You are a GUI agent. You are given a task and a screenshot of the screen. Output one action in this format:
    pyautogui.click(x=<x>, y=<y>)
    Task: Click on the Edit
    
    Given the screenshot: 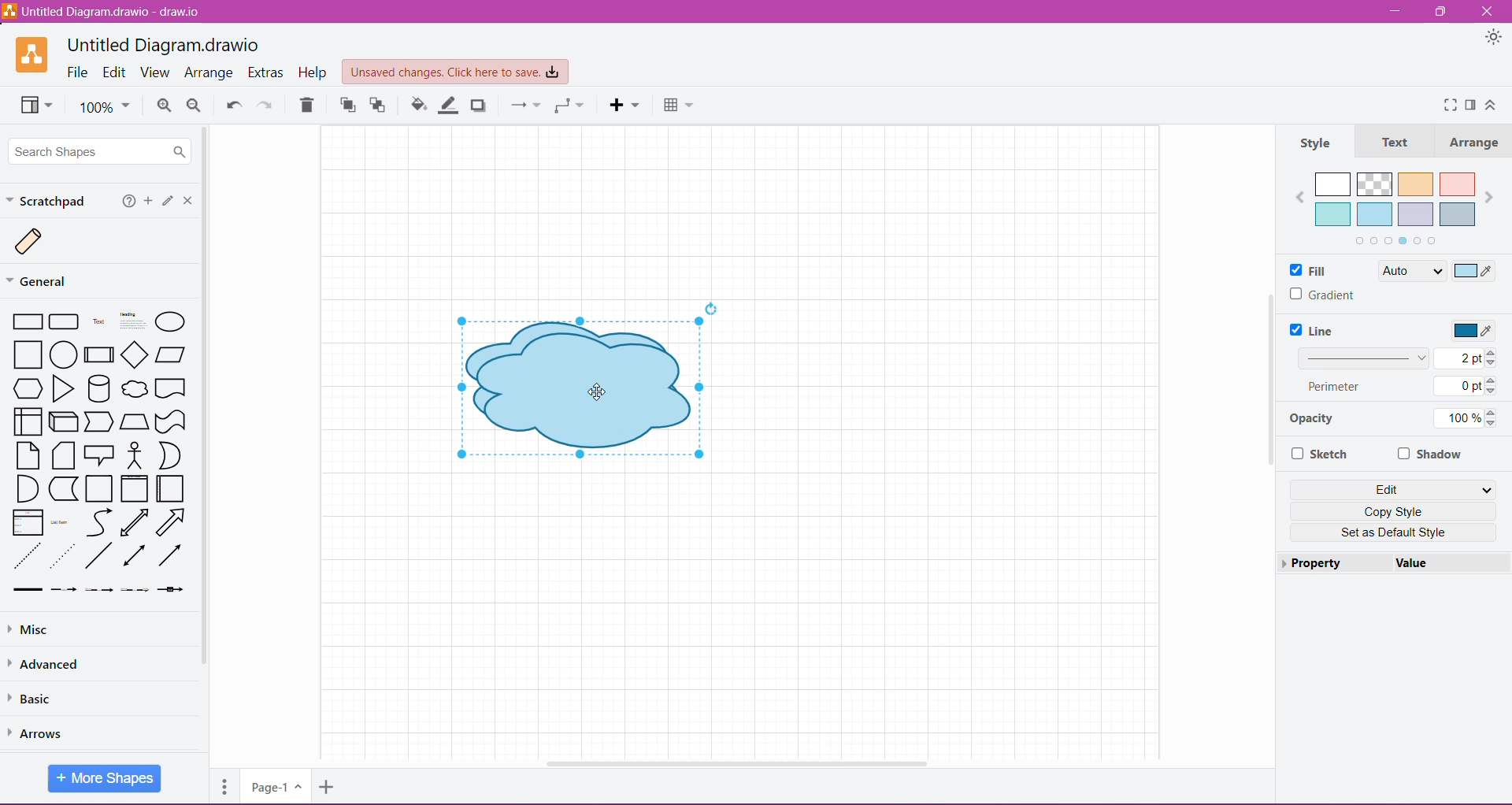 What is the action you would take?
    pyautogui.click(x=1393, y=489)
    